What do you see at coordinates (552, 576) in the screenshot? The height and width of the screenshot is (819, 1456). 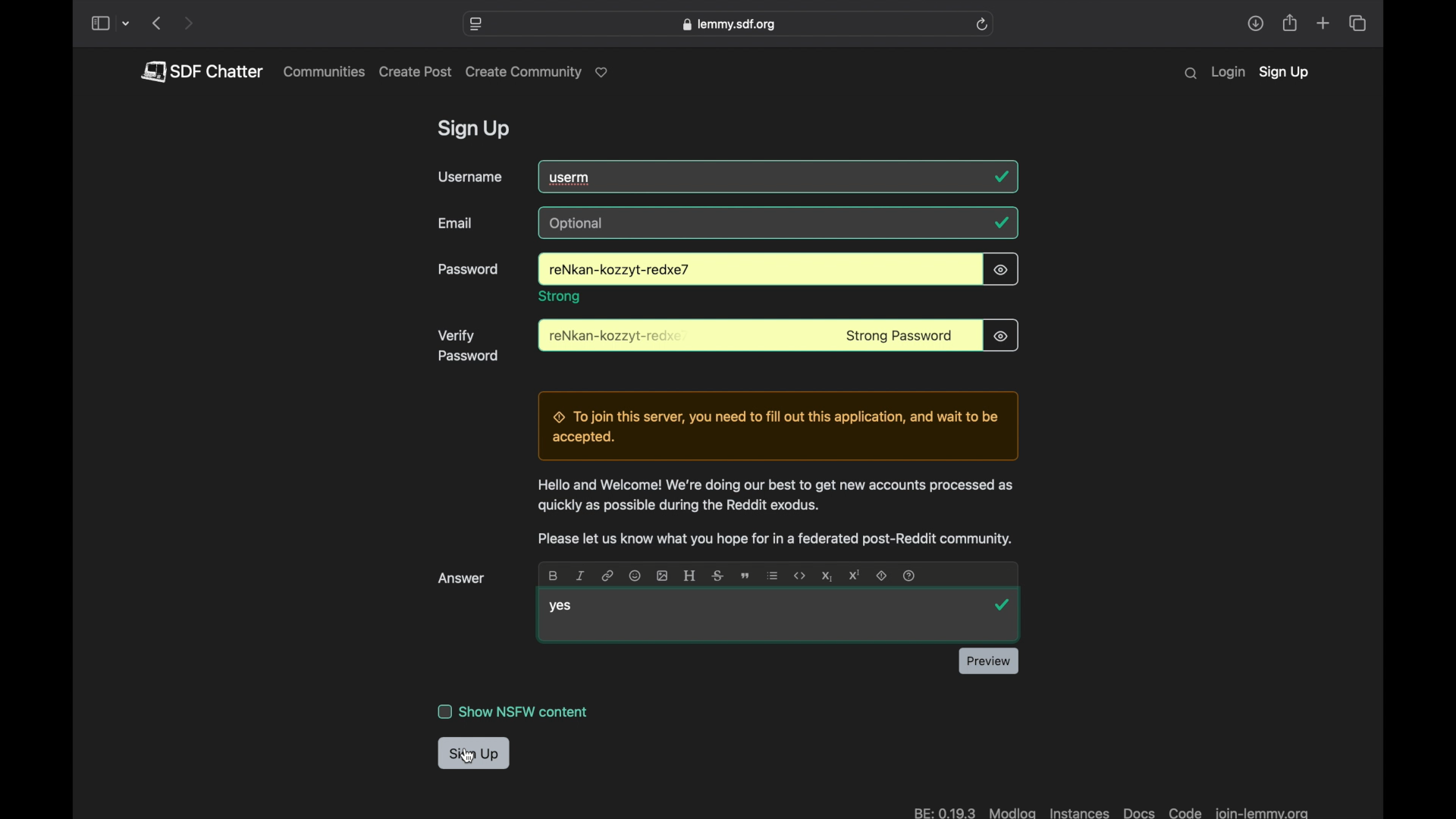 I see `bold` at bounding box center [552, 576].